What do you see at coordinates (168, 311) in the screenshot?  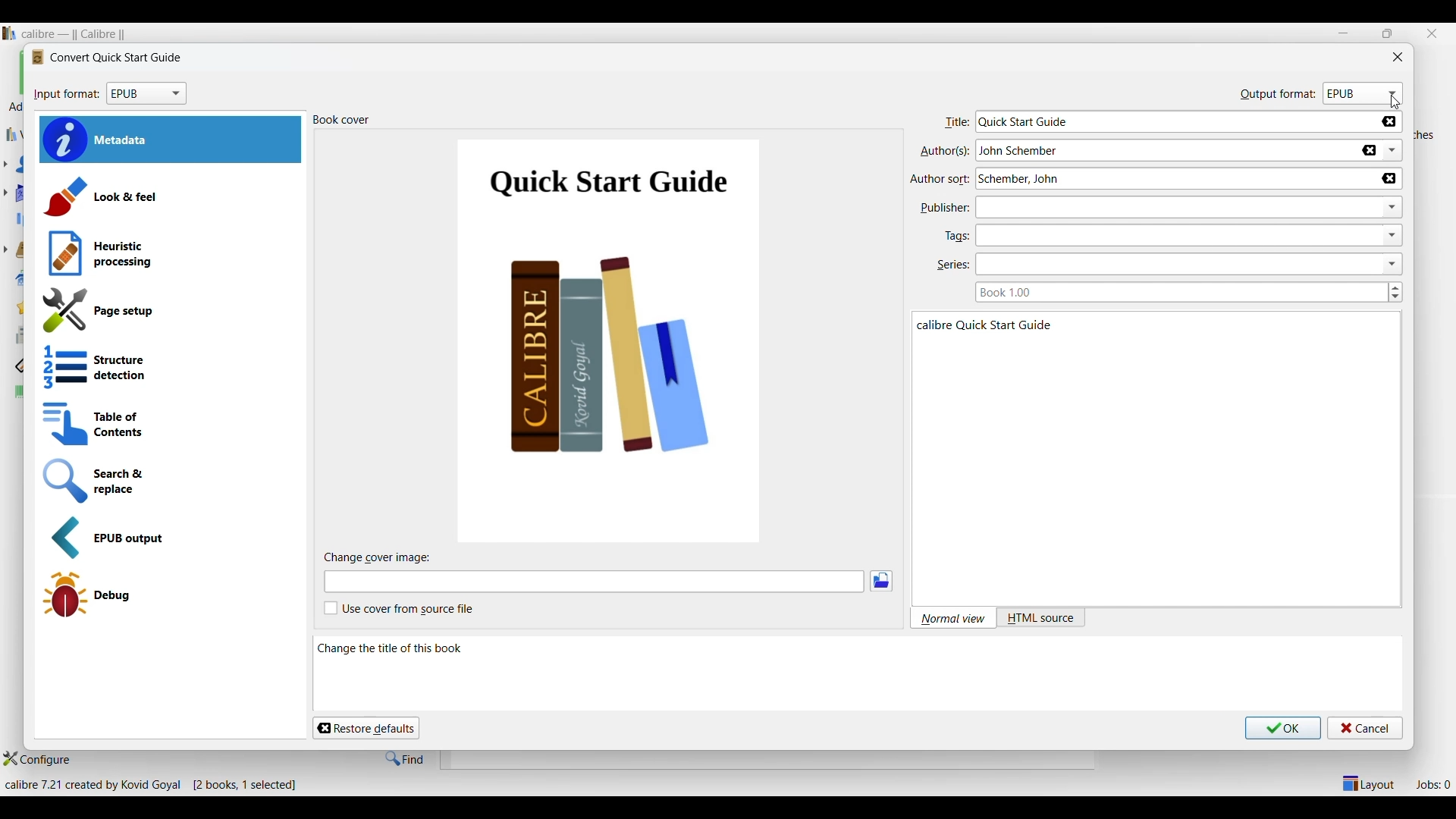 I see `Page setup` at bounding box center [168, 311].